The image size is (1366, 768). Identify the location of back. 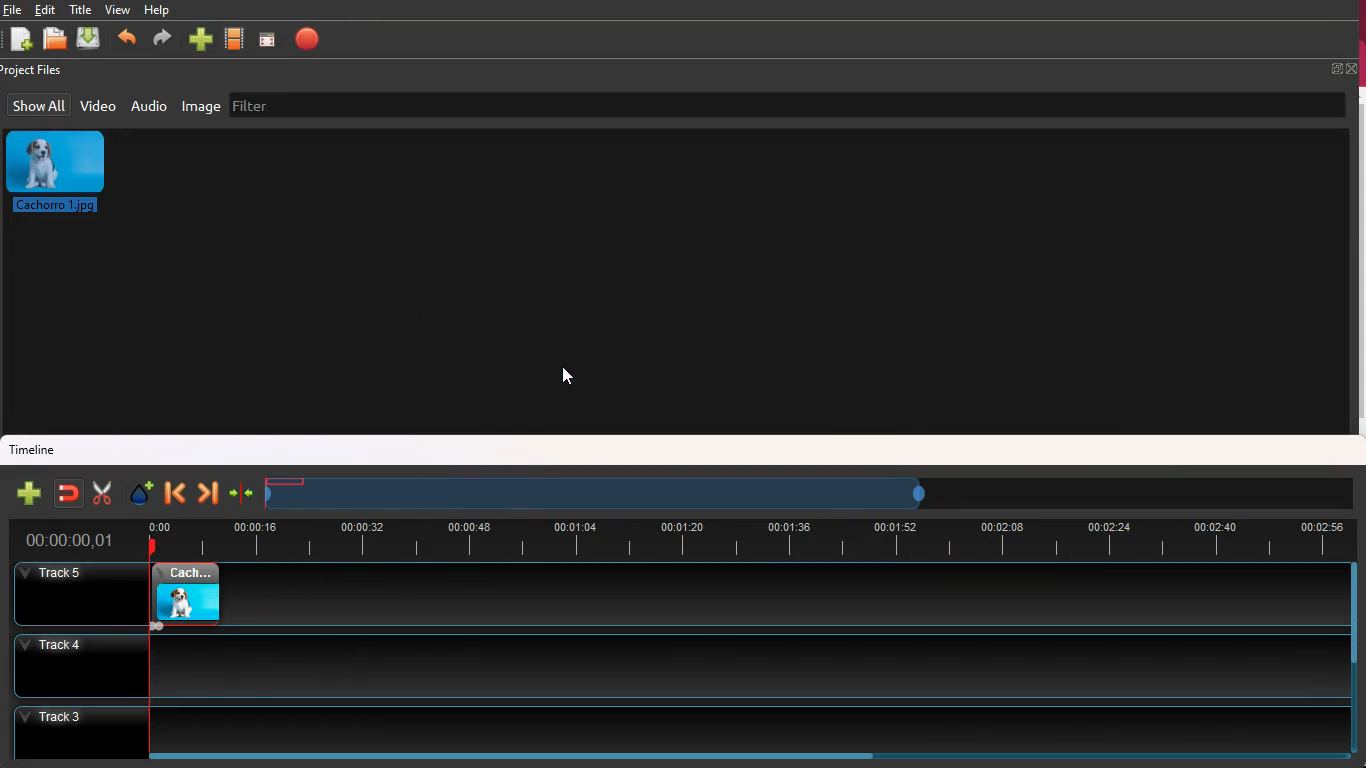
(129, 38).